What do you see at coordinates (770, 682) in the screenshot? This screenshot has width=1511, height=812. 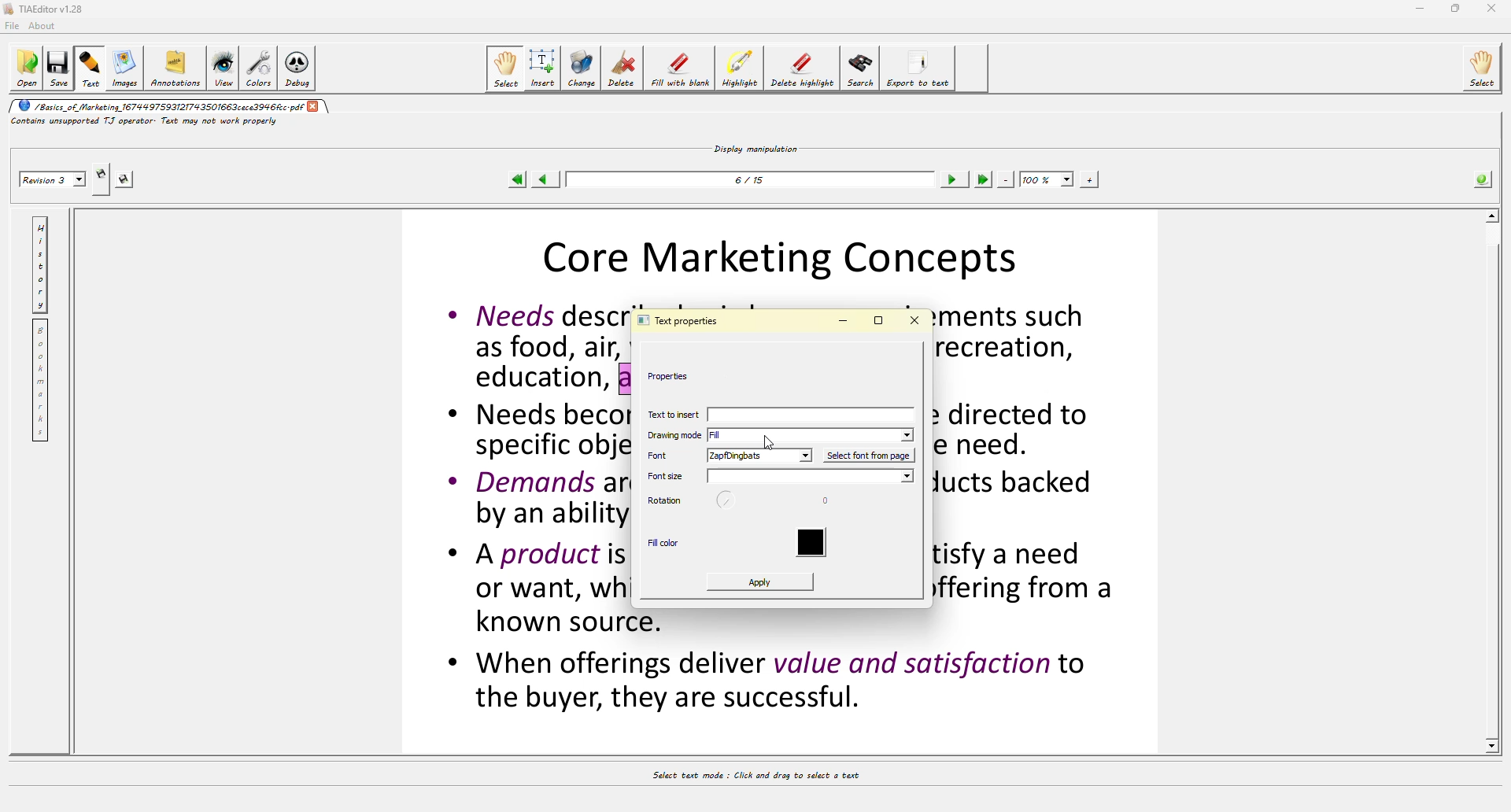 I see `* When offerings aeliver value and satisfaction to
the buyer, they are successful.` at bounding box center [770, 682].